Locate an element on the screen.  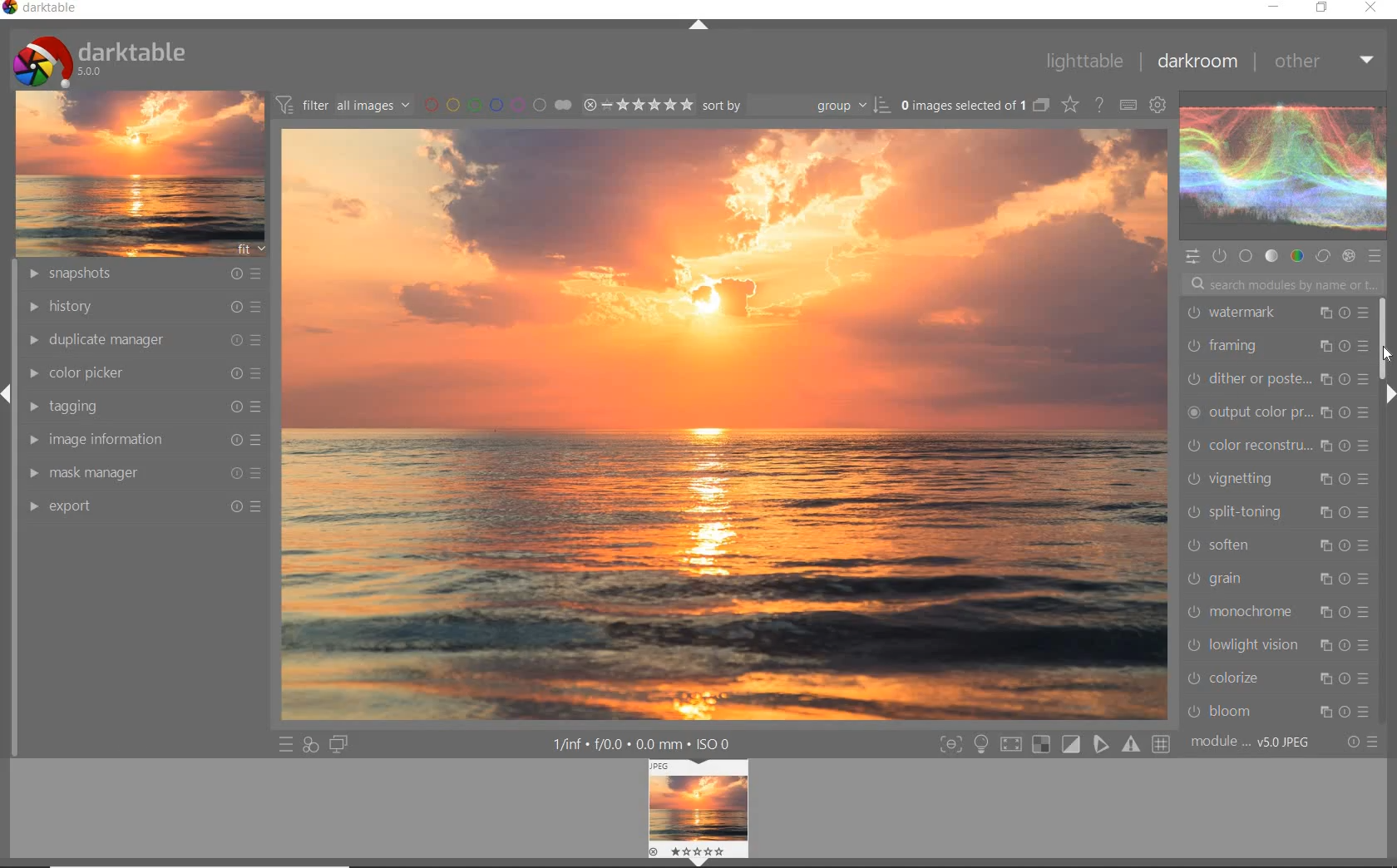
COLORIZE is located at coordinates (1278, 678).